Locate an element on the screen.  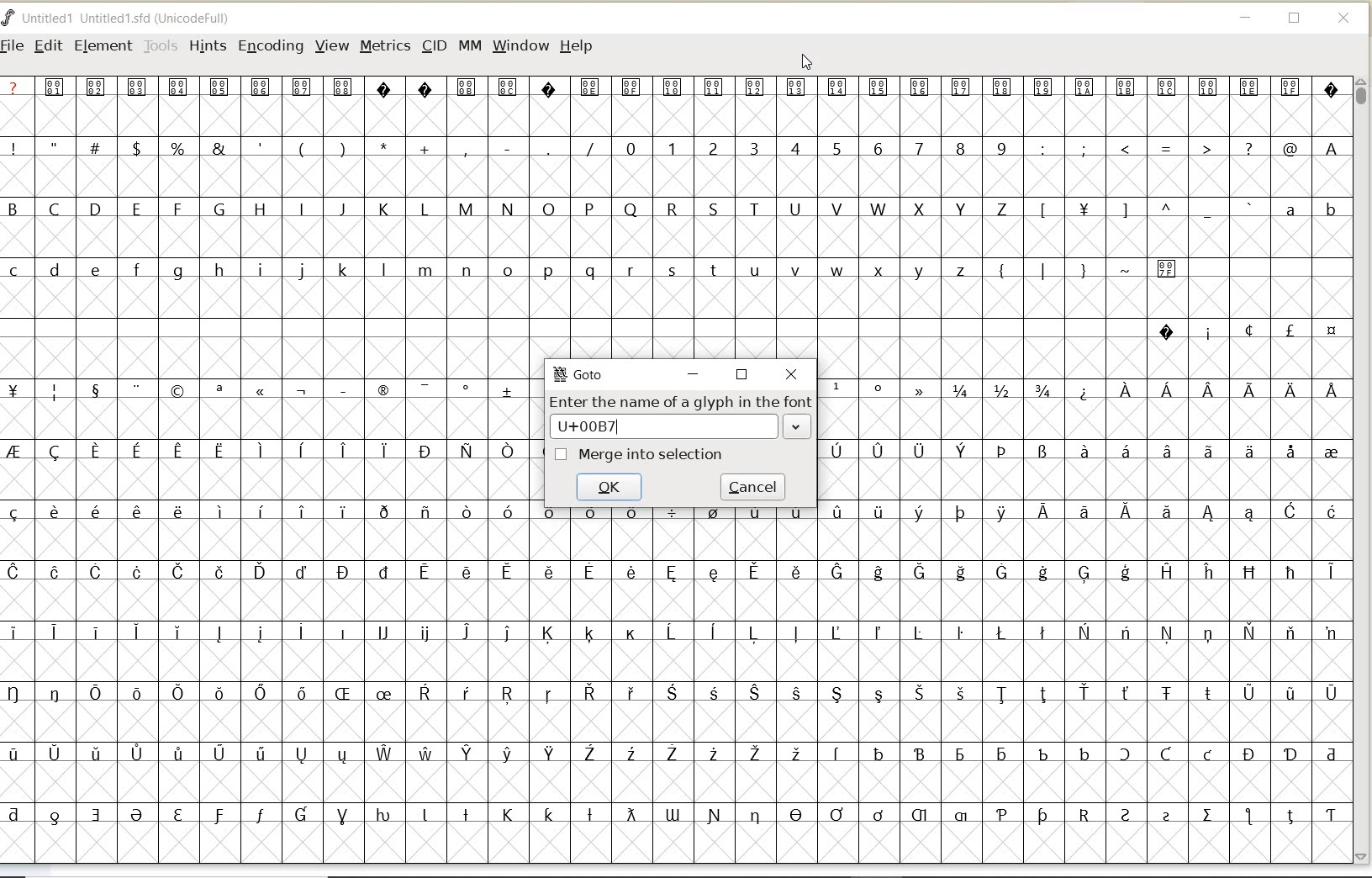
CURSOR is located at coordinates (808, 63).